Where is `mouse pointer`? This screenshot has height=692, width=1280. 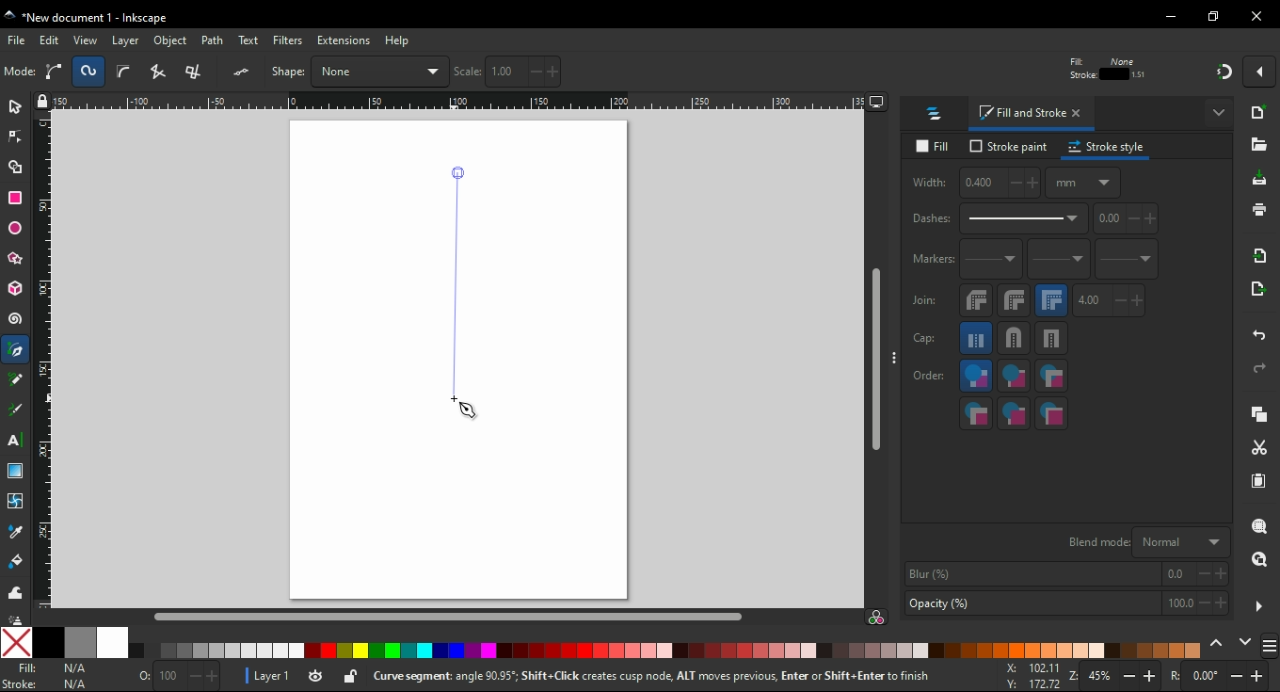
mouse pointer is located at coordinates (470, 414).